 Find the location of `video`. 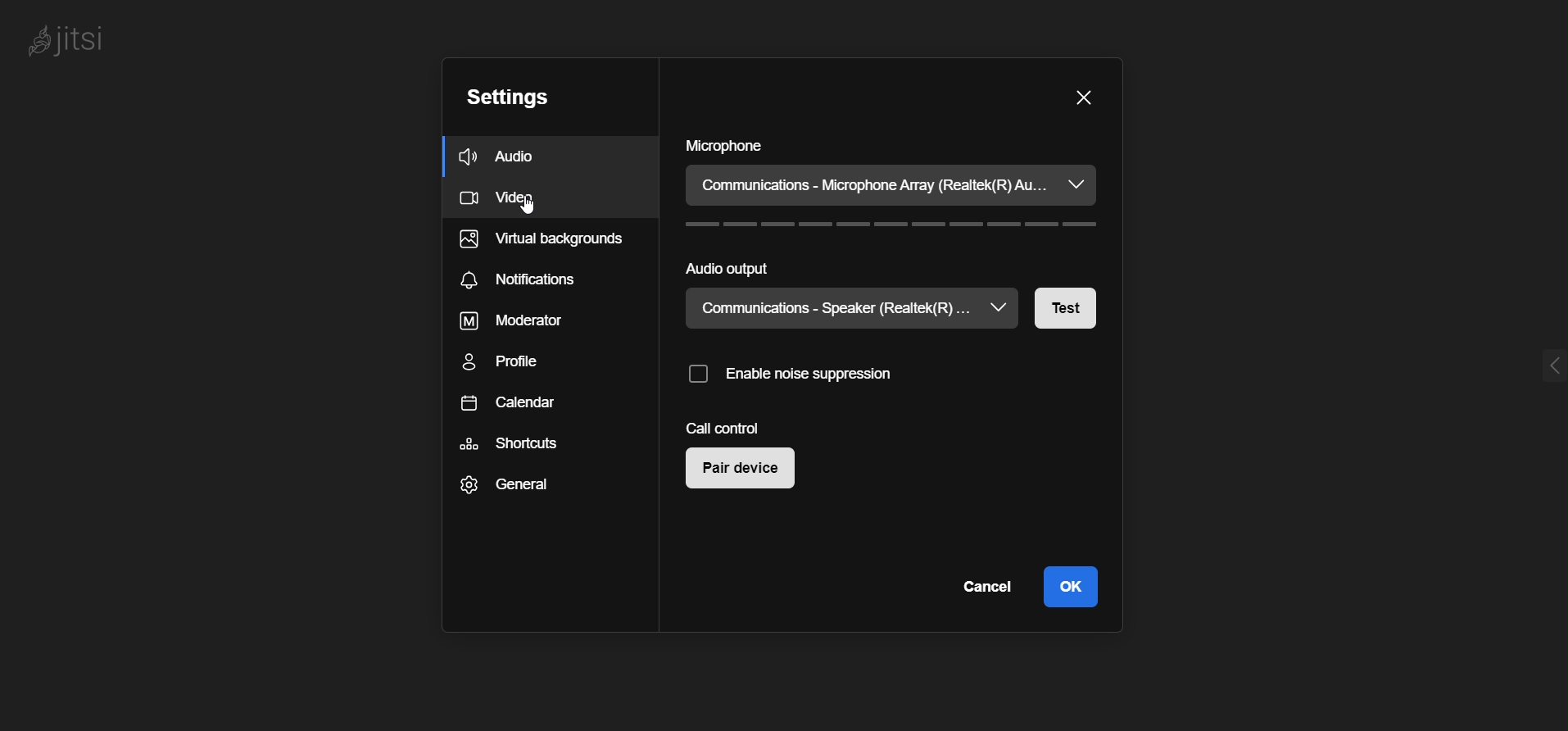

video is located at coordinates (533, 195).